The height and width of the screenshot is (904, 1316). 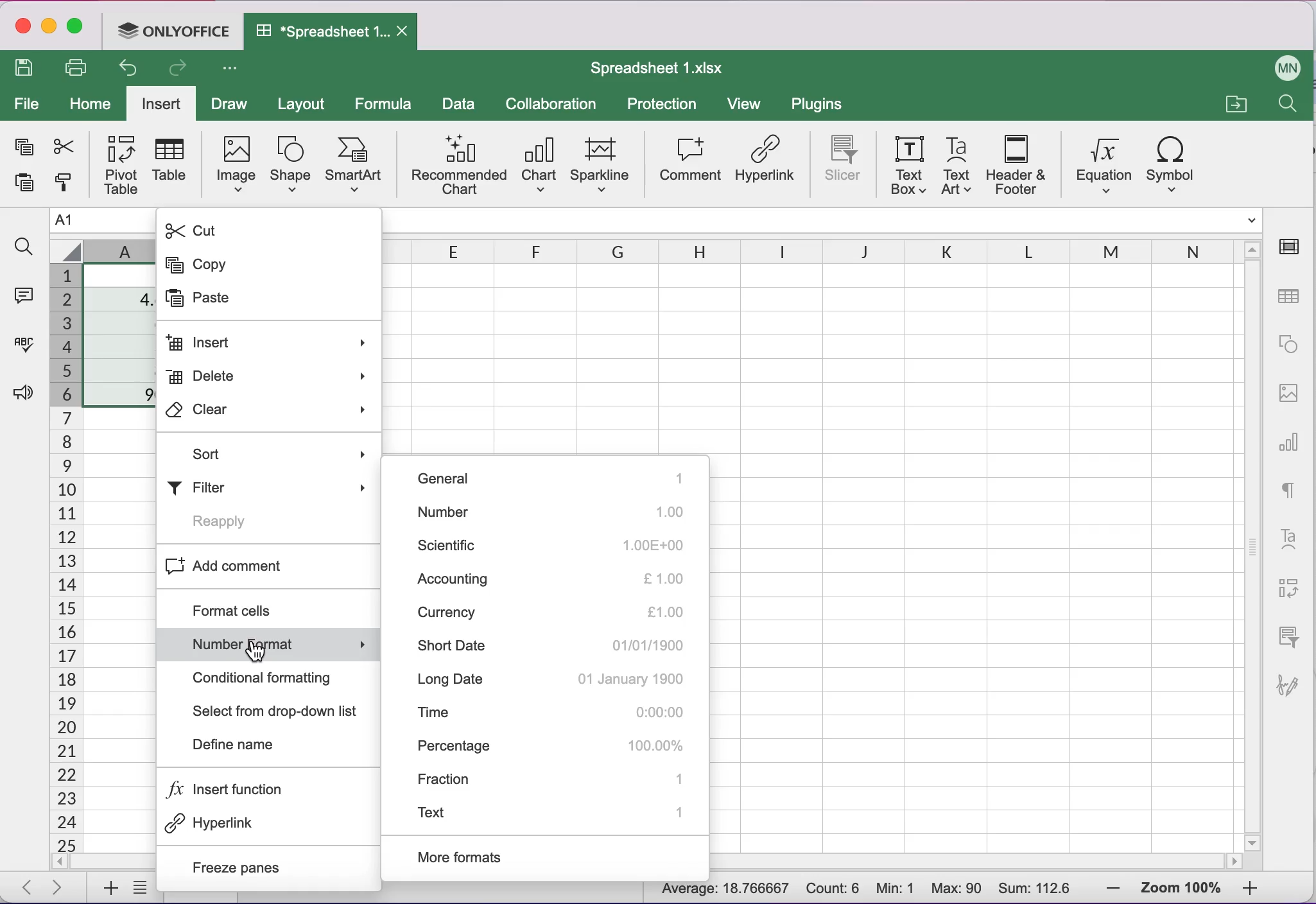 What do you see at coordinates (1182, 887) in the screenshot?
I see `zoom percentage` at bounding box center [1182, 887].